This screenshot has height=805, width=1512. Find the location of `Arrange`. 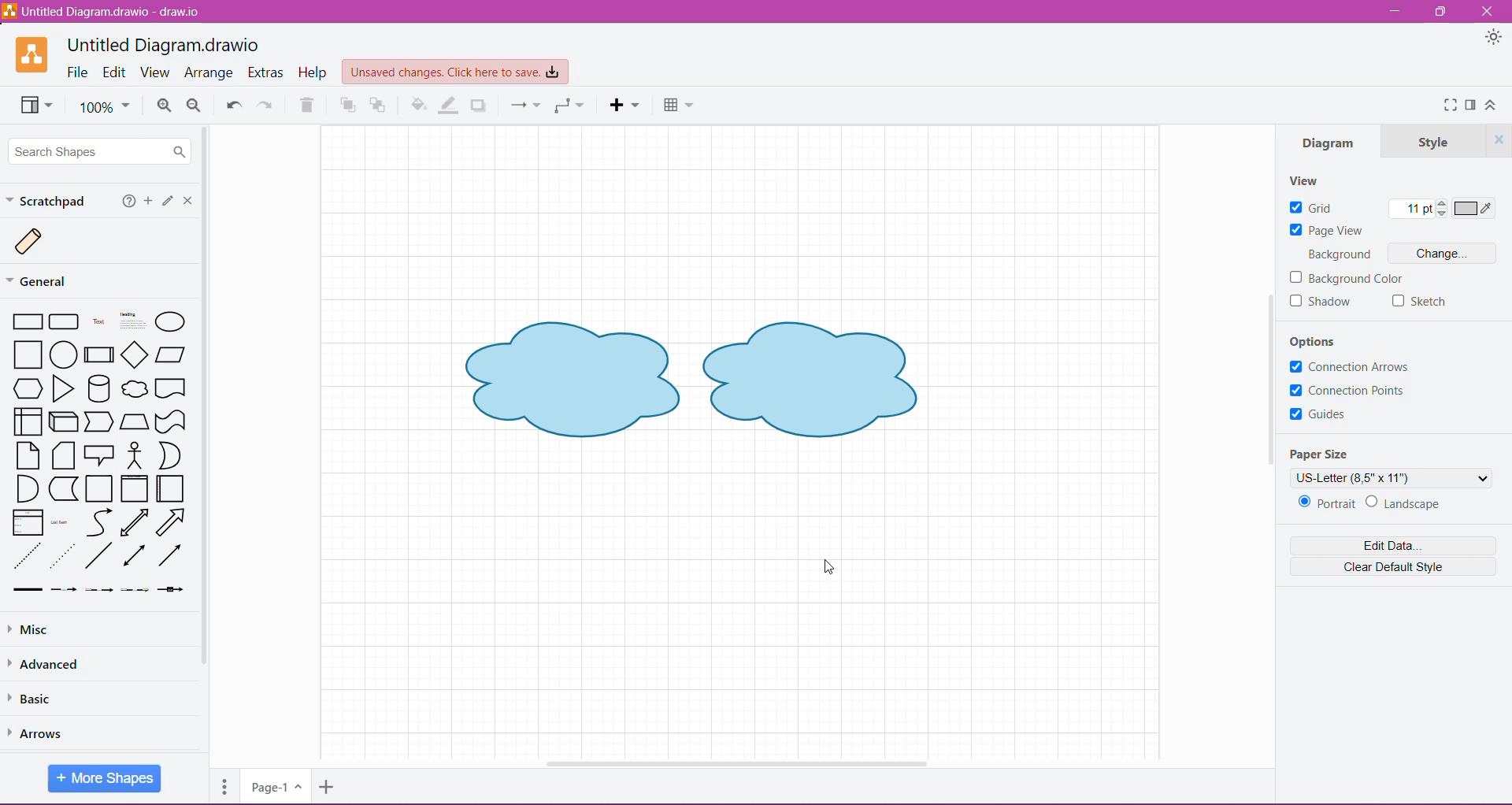

Arrange is located at coordinates (210, 73).